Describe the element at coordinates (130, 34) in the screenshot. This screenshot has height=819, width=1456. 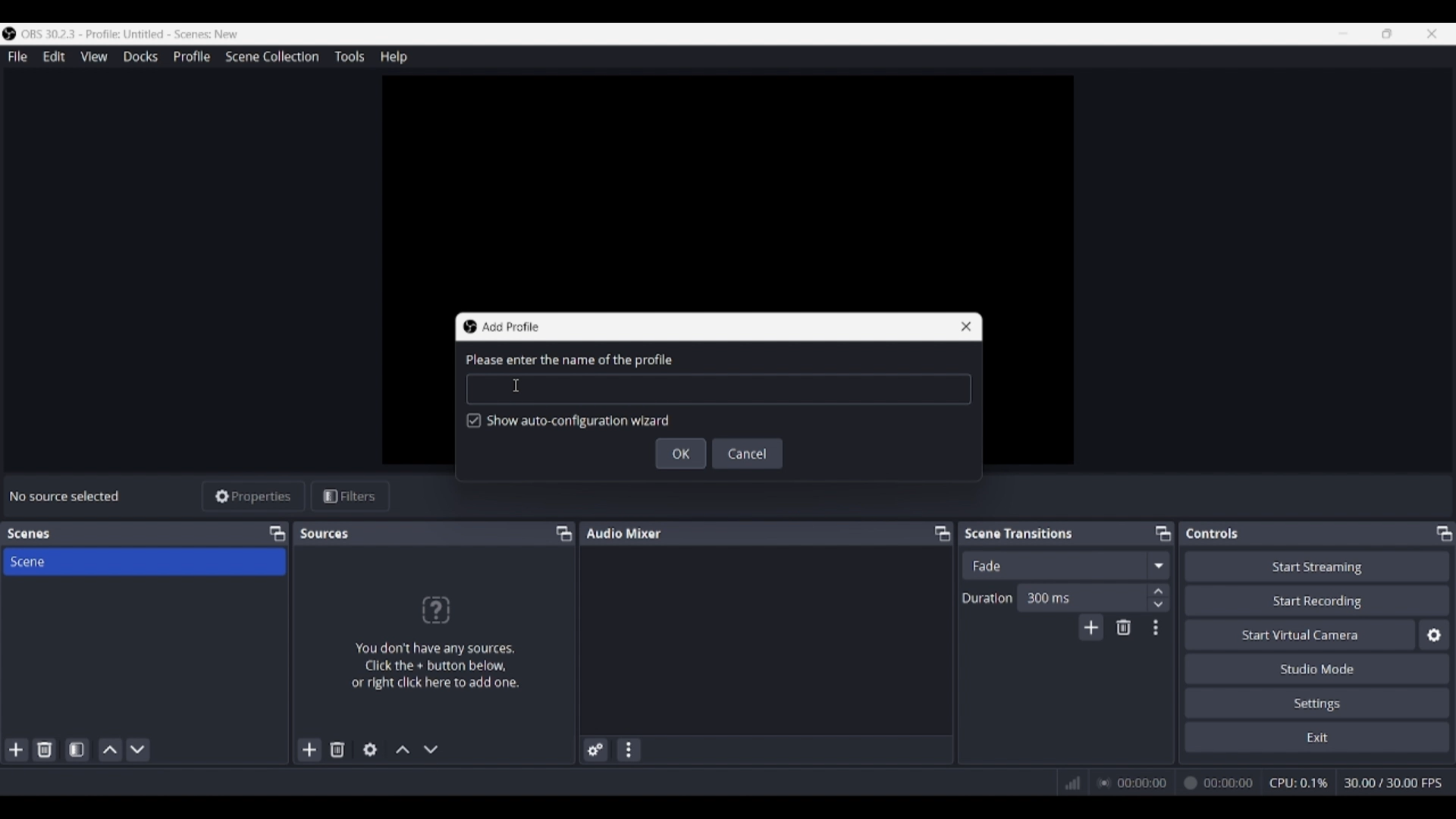
I see `Software and project name` at that location.